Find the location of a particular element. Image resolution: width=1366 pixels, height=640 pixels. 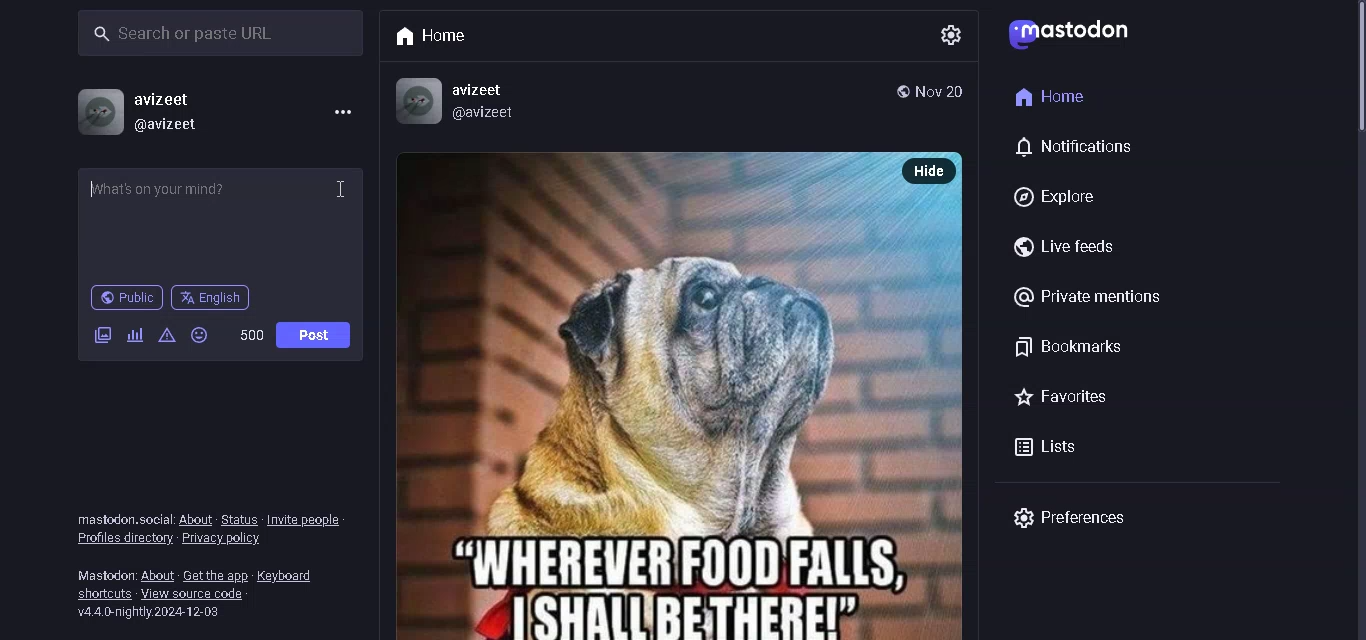

search bar is located at coordinates (212, 35).